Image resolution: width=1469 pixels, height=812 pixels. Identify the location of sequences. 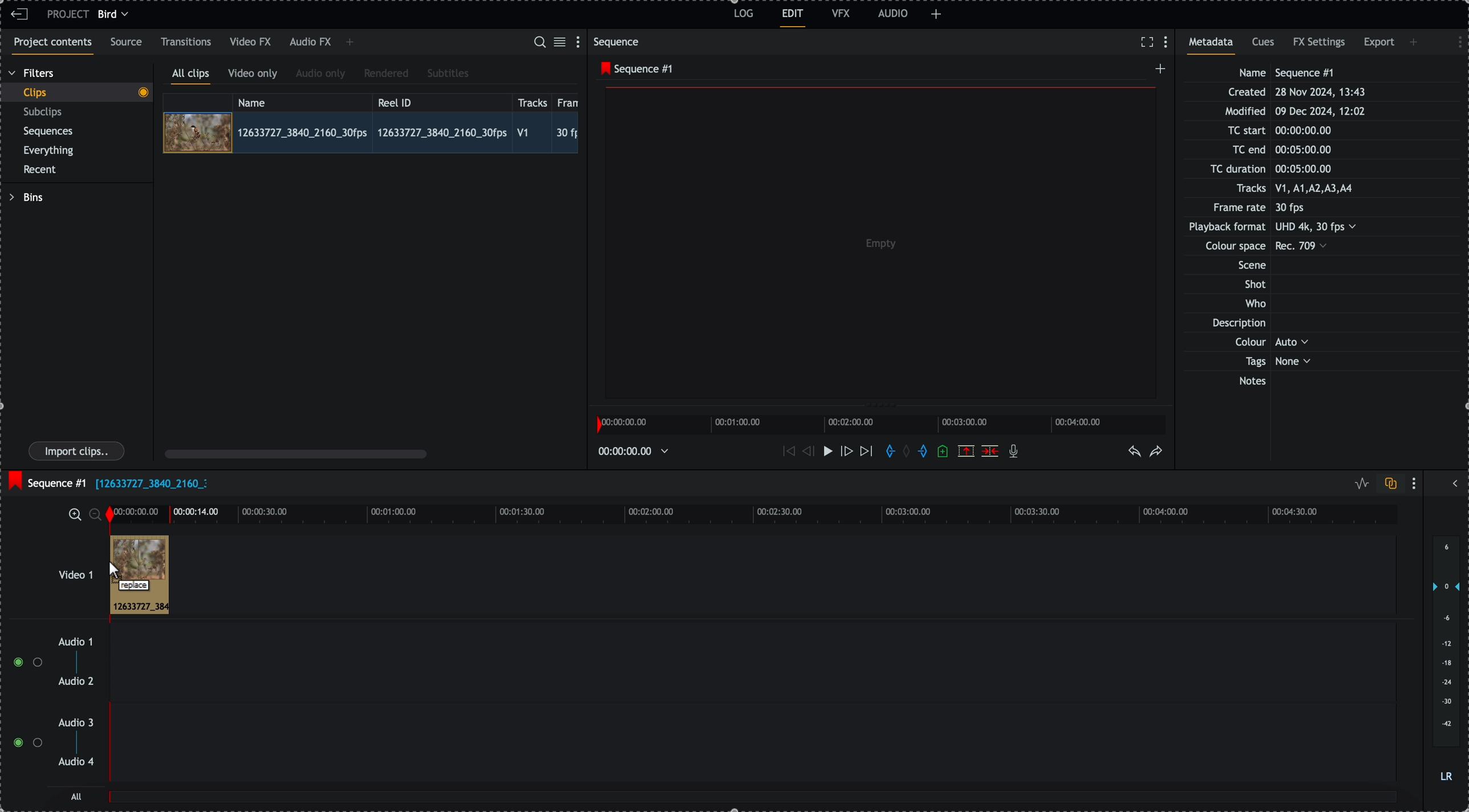
(48, 133).